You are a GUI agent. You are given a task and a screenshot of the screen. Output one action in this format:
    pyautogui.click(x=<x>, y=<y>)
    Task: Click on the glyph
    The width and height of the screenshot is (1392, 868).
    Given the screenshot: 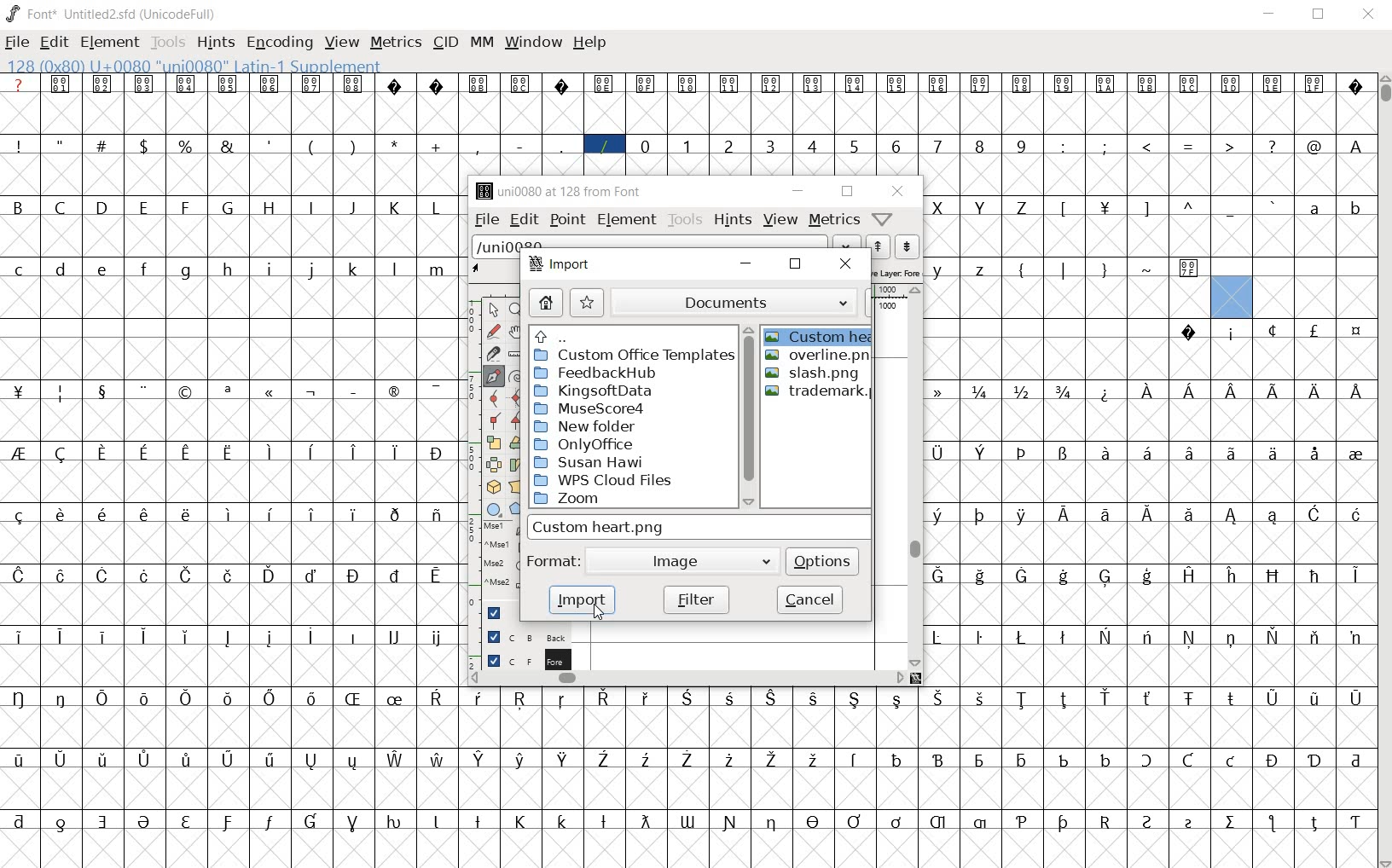 What is the action you would take?
    pyautogui.click(x=1316, y=454)
    